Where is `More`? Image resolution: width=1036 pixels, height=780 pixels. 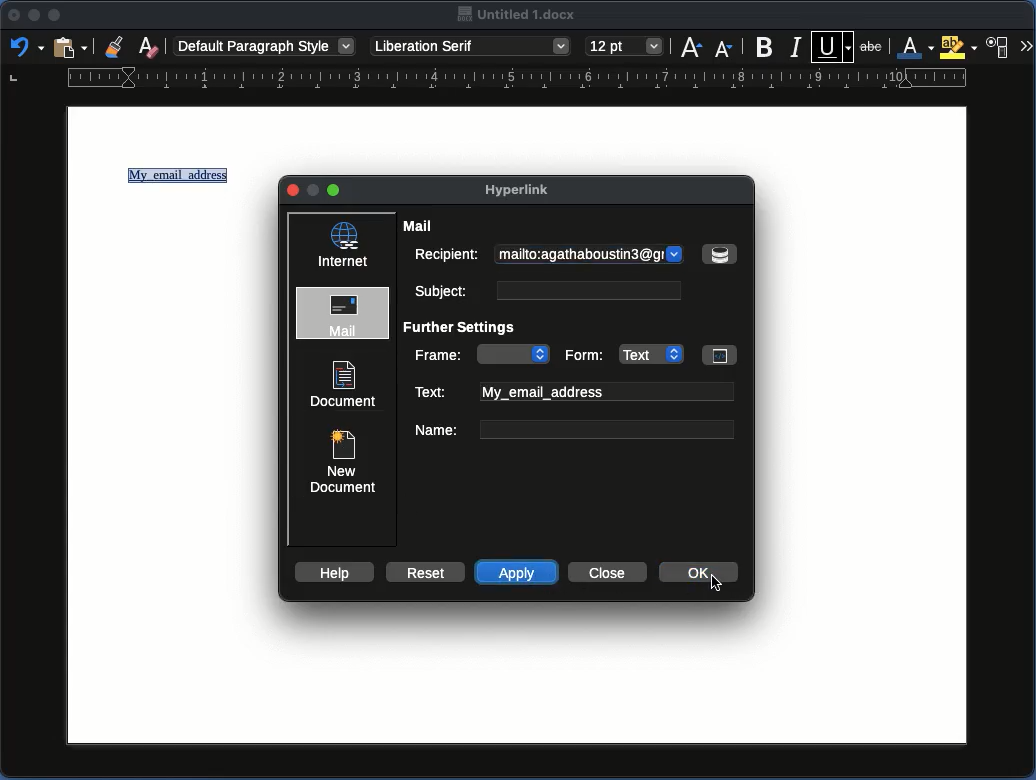
More is located at coordinates (1026, 44).